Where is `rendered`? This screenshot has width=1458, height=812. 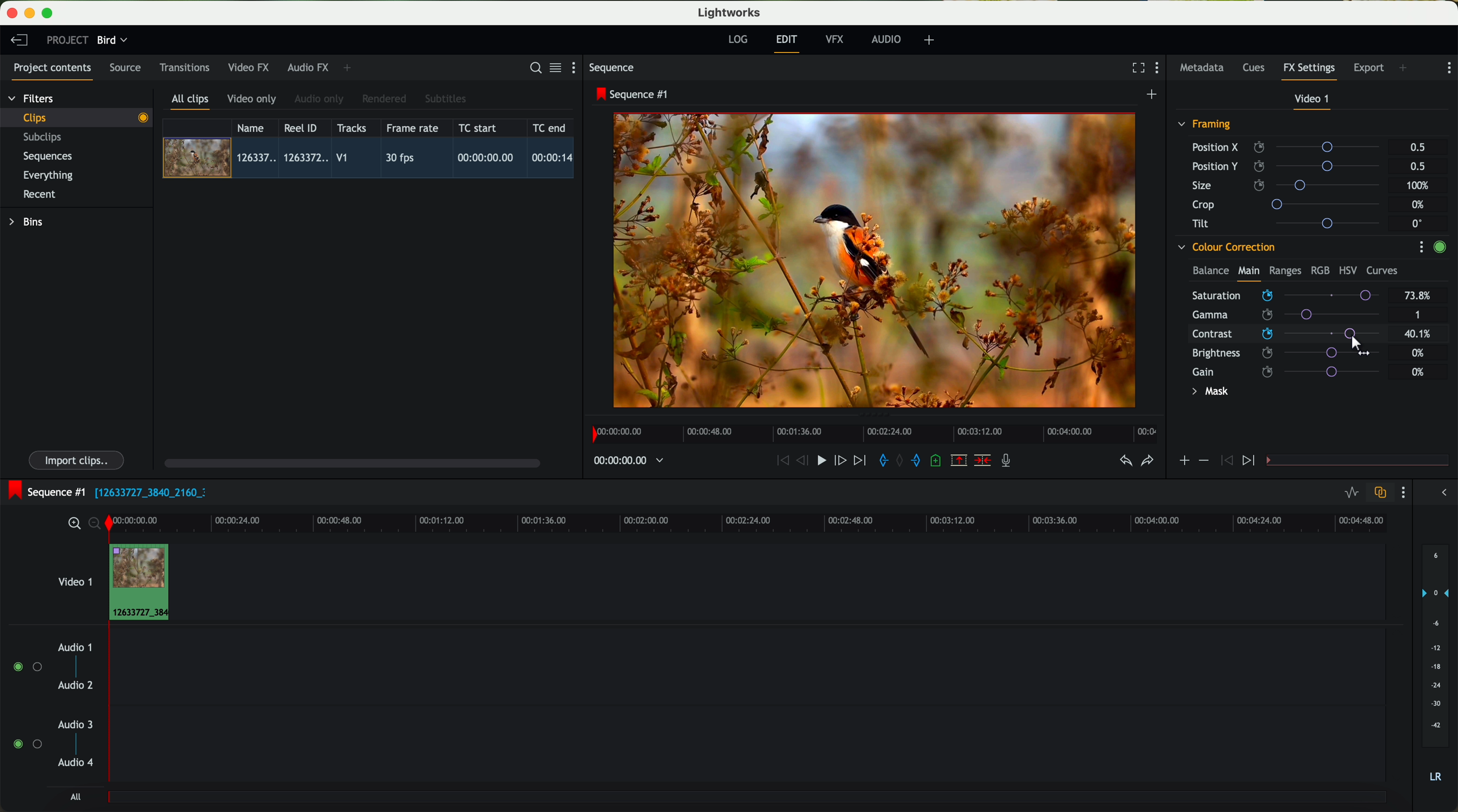
rendered is located at coordinates (385, 100).